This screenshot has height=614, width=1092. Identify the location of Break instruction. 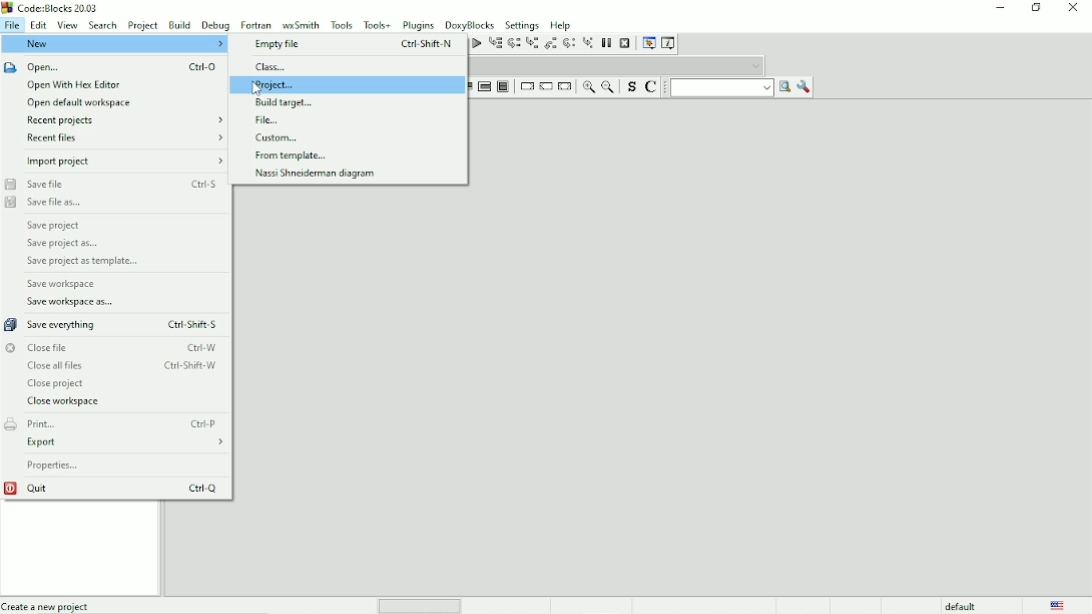
(525, 86).